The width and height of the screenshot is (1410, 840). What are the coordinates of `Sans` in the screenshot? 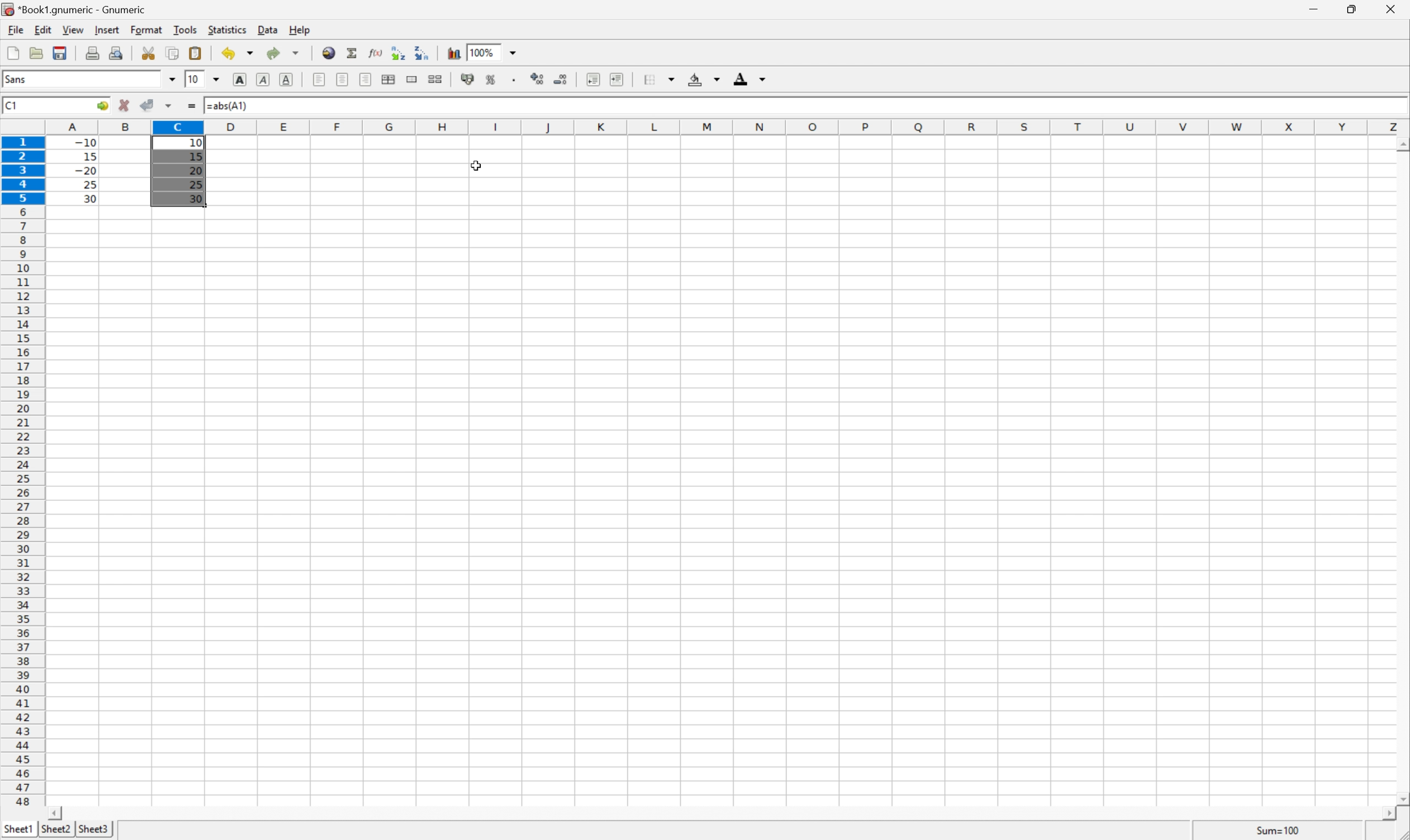 It's located at (18, 79).